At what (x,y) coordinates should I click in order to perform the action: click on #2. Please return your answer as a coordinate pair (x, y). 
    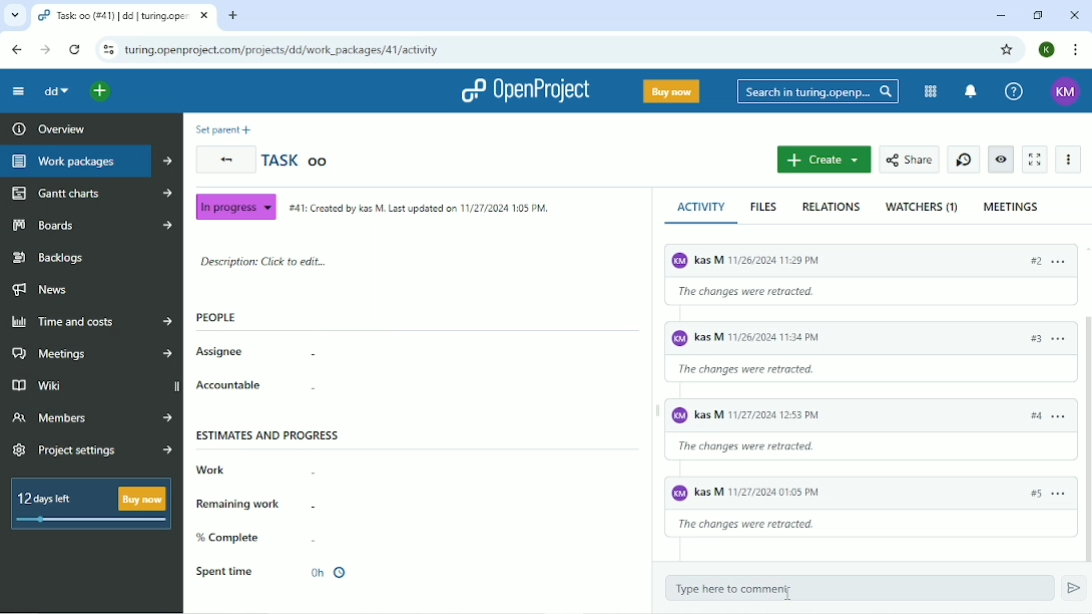
    Looking at the image, I should click on (1035, 262).